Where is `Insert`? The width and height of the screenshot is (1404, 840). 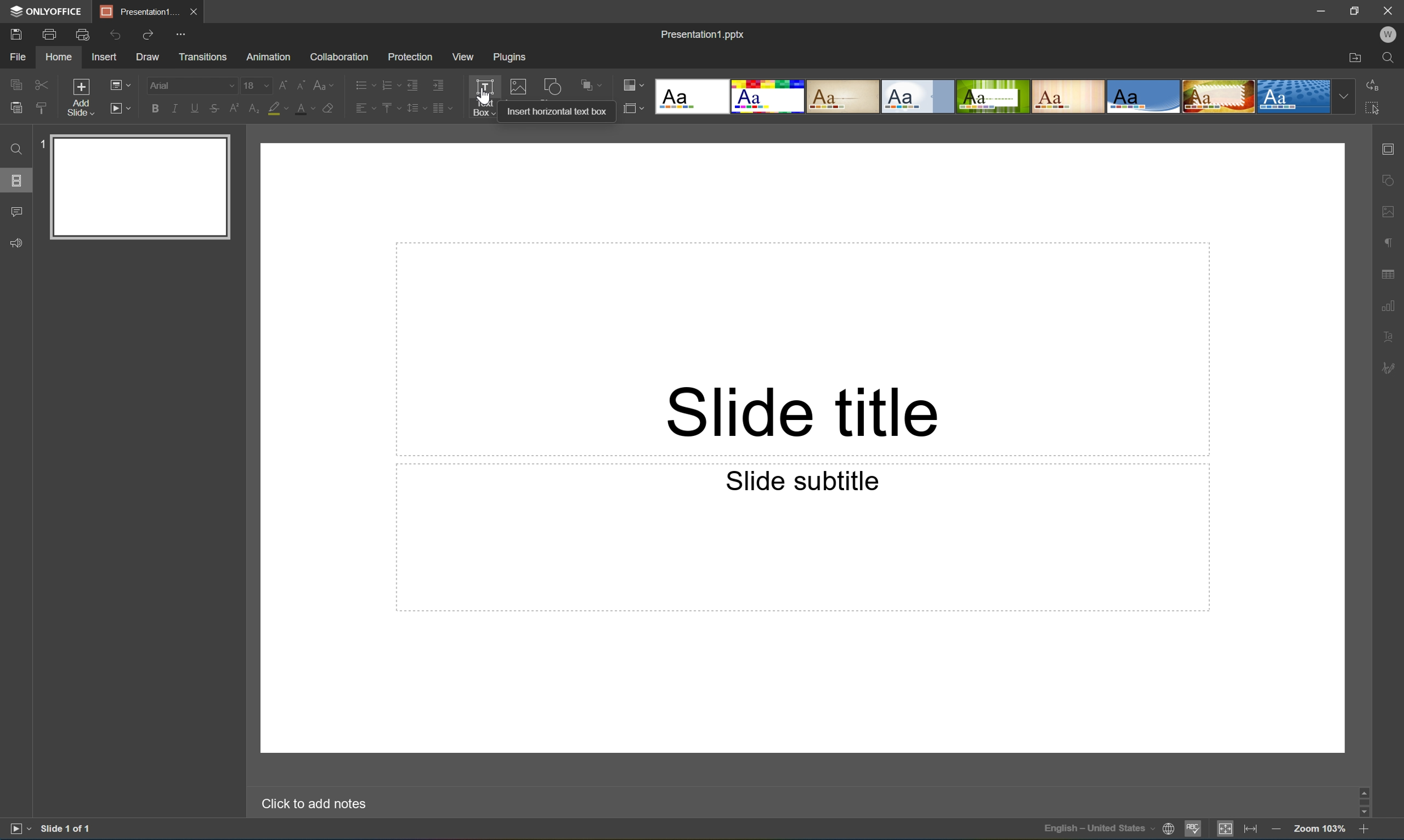
Insert is located at coordinates (104, 57).